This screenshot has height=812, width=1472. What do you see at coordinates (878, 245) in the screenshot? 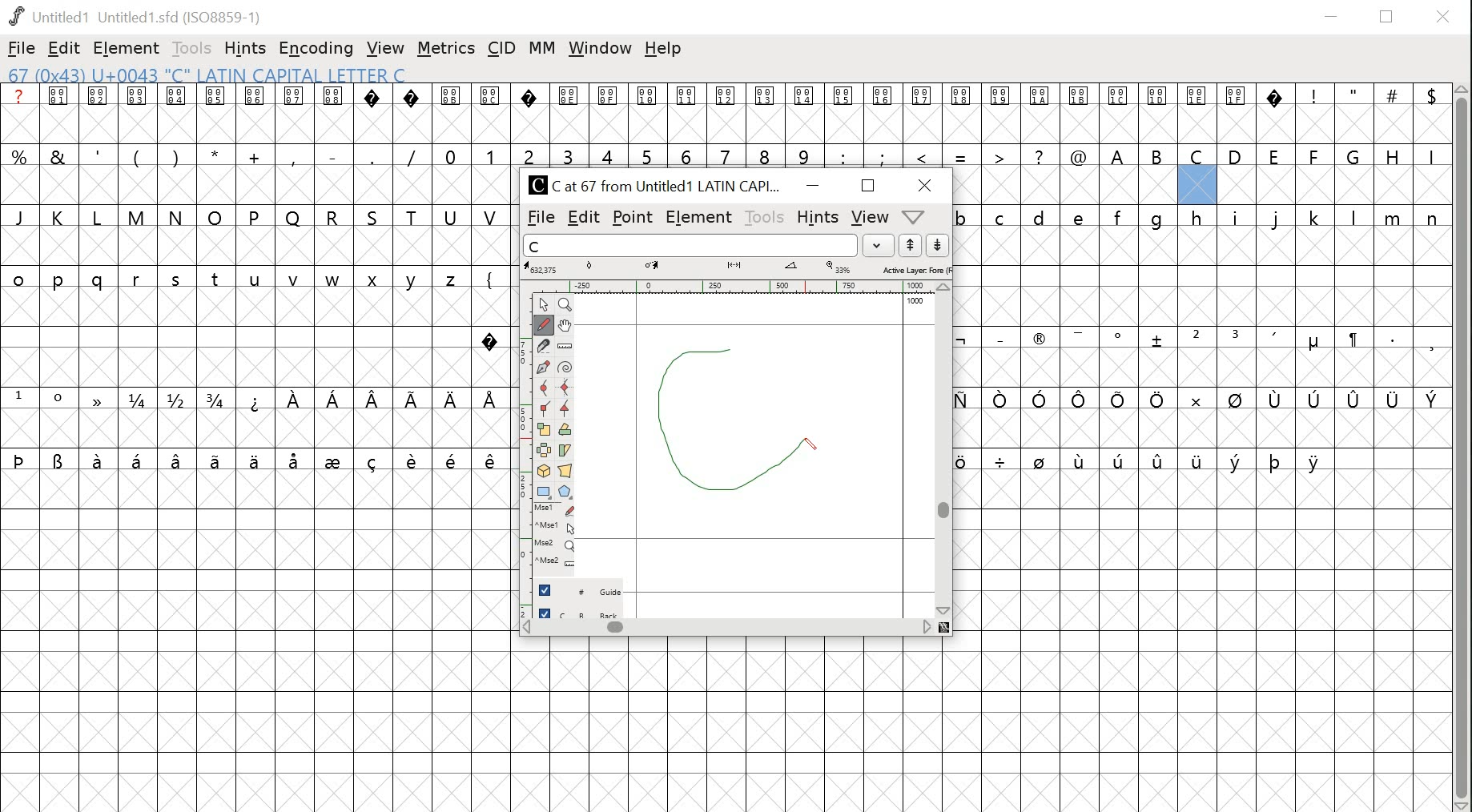
I see `dropdown menu` at bounding box center [878, 245].